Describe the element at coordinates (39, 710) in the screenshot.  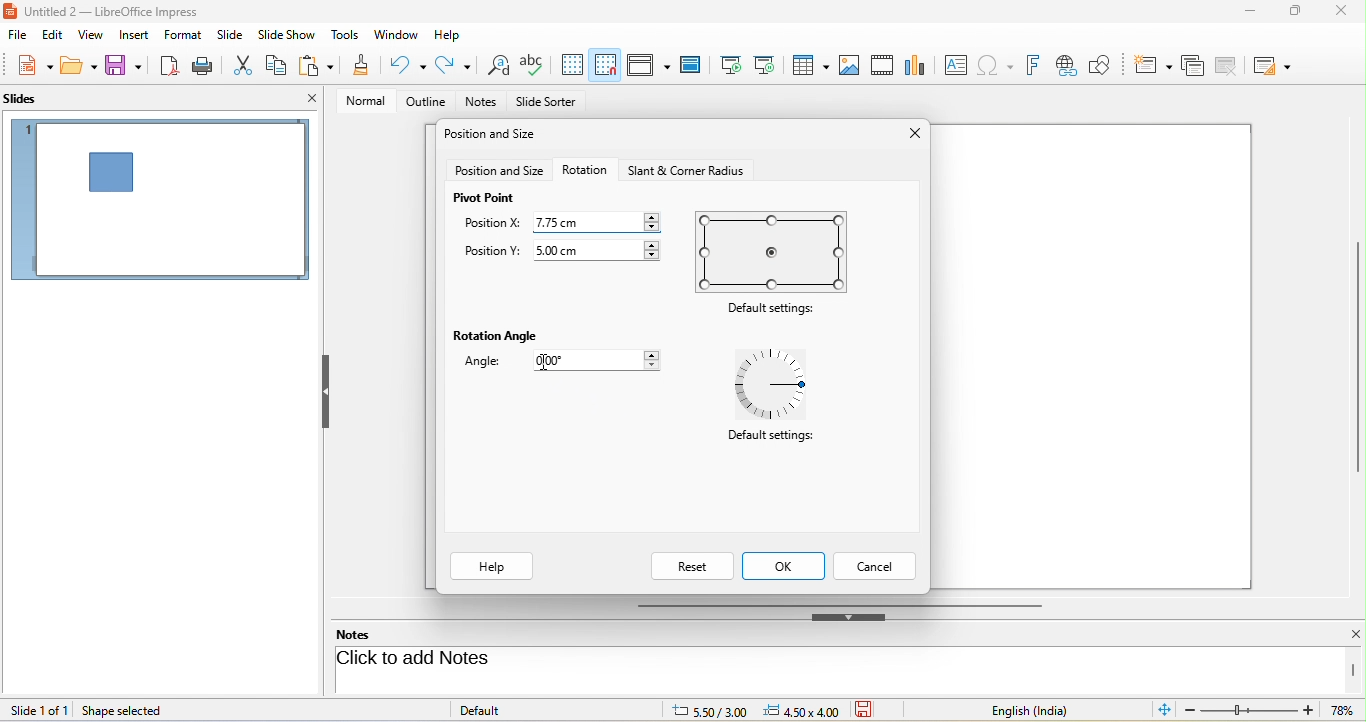
I see `slide 1 of 1` at that location.